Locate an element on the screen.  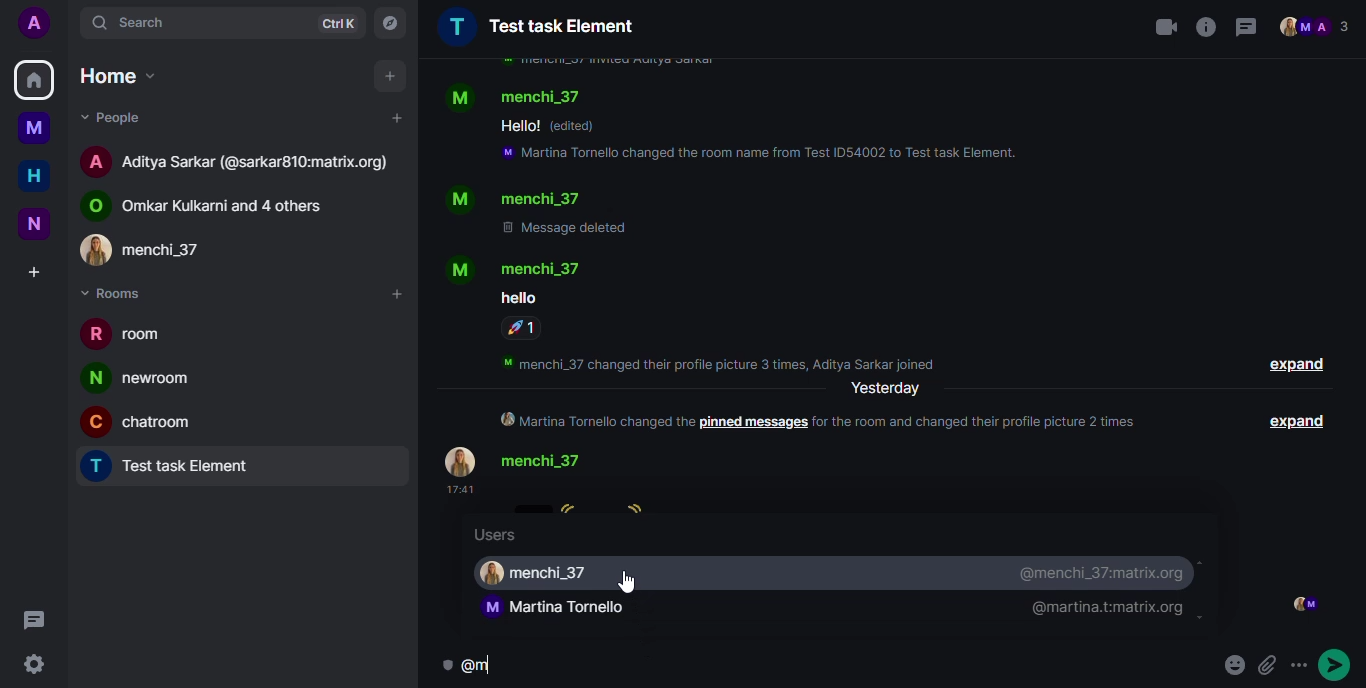
rooms drop down is located at coordinates (119, 293).